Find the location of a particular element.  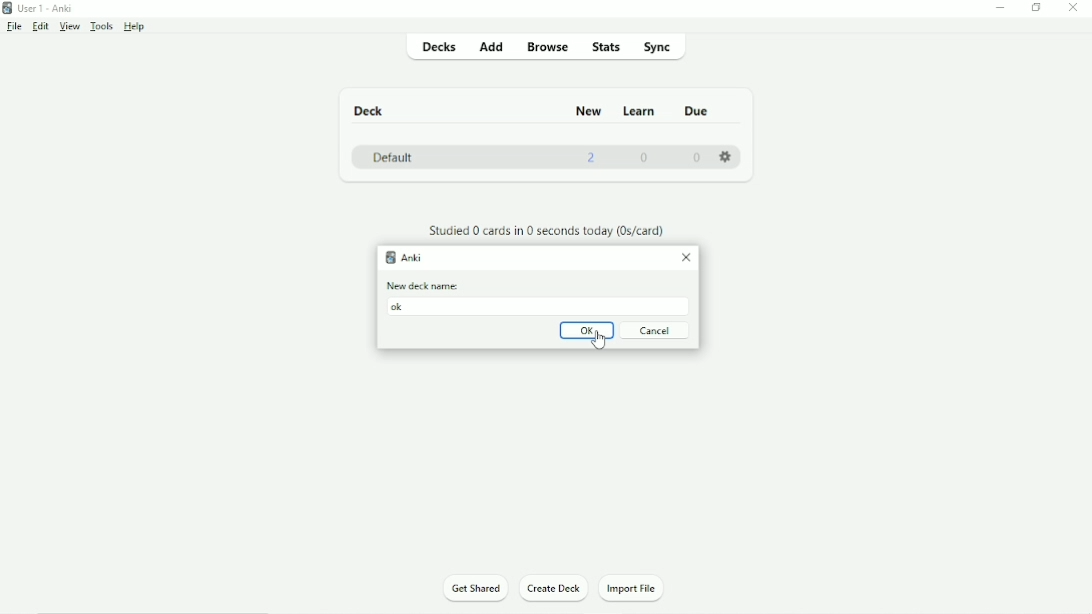

Learn is located at coordinates (641, 111).